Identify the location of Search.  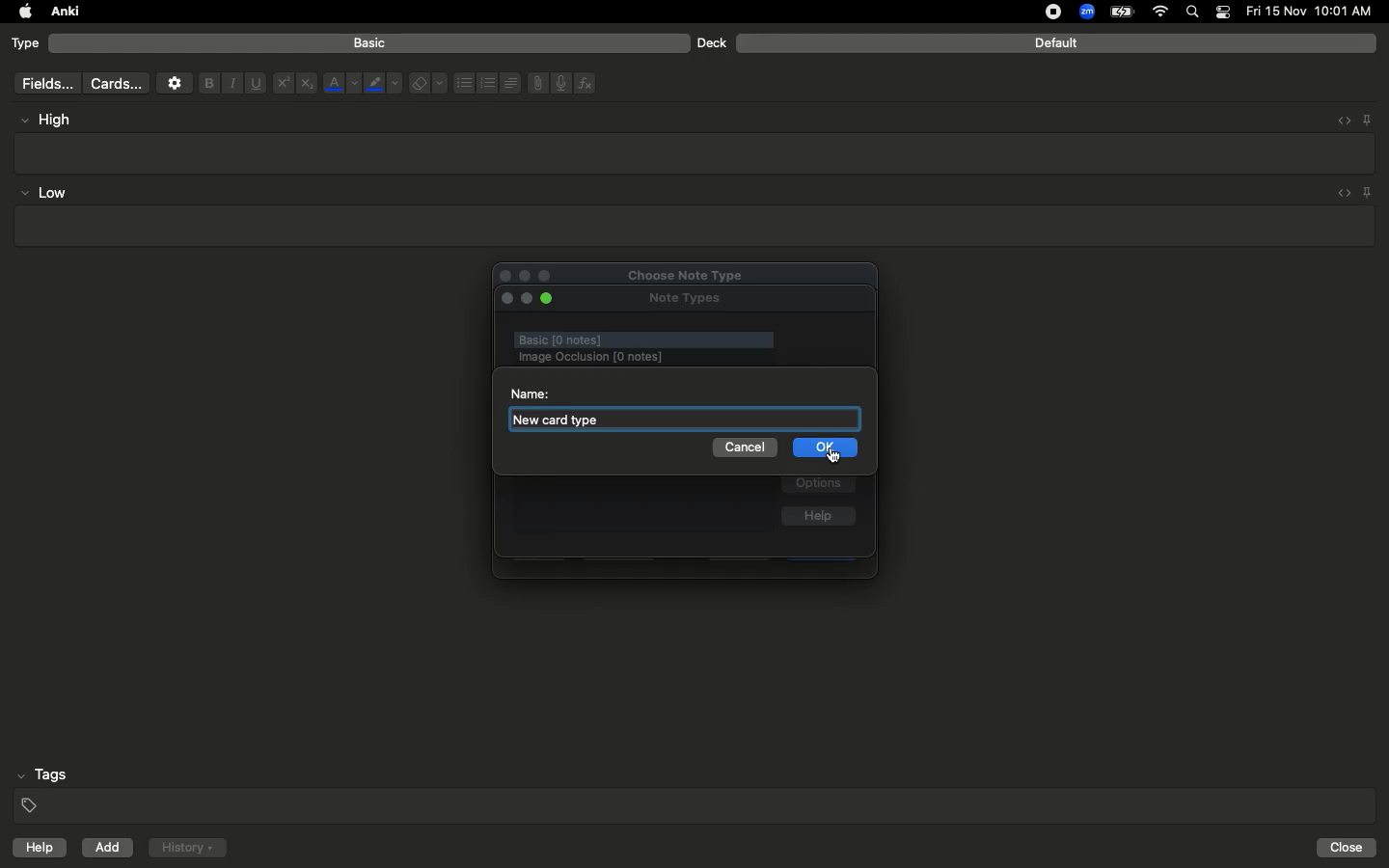
(1195, 13).